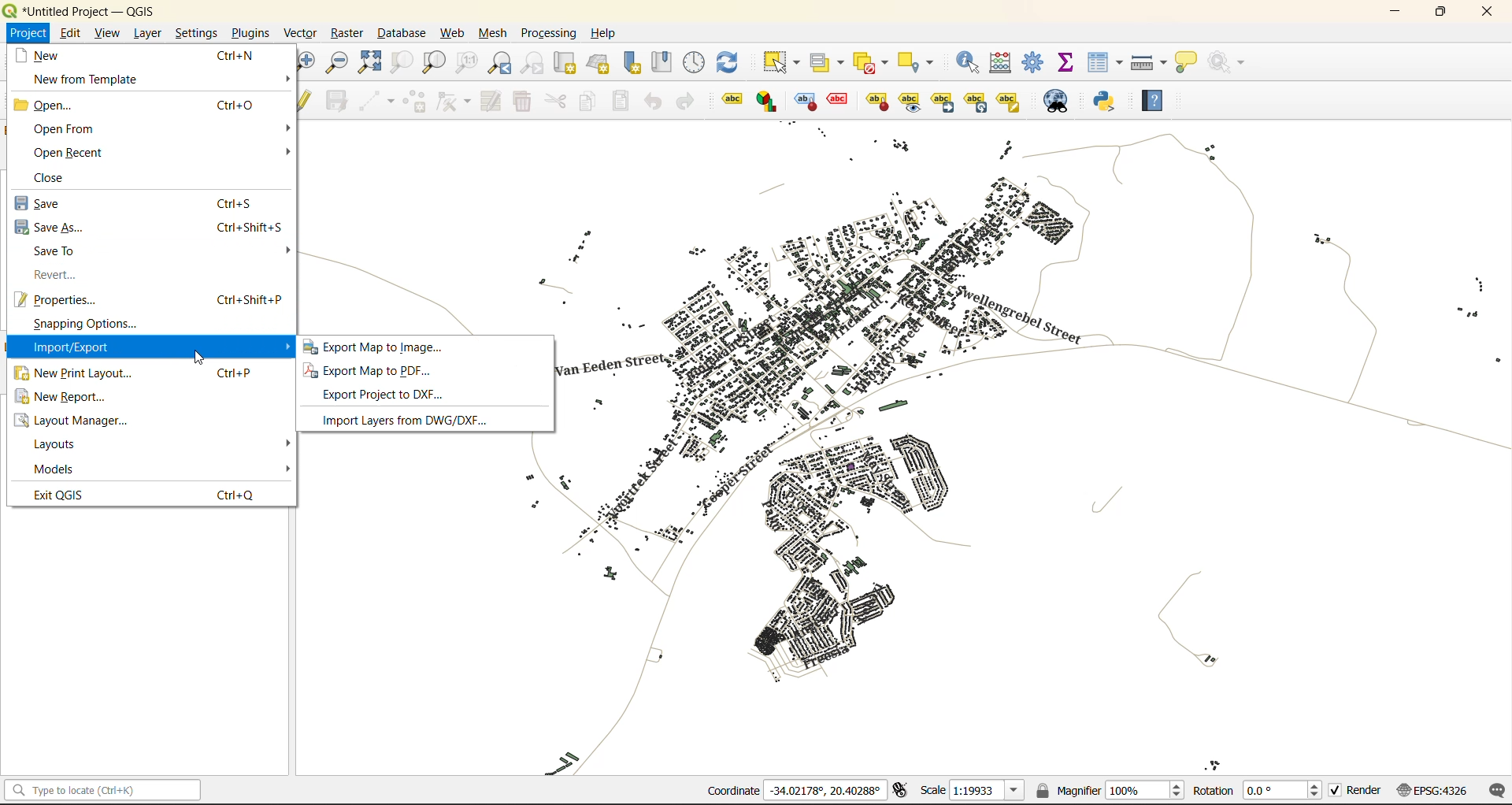 Image resolution: width=1512 pixels, height=805 pixels. I want to click on Move a label, diagrams or callout , so click(910, 101).